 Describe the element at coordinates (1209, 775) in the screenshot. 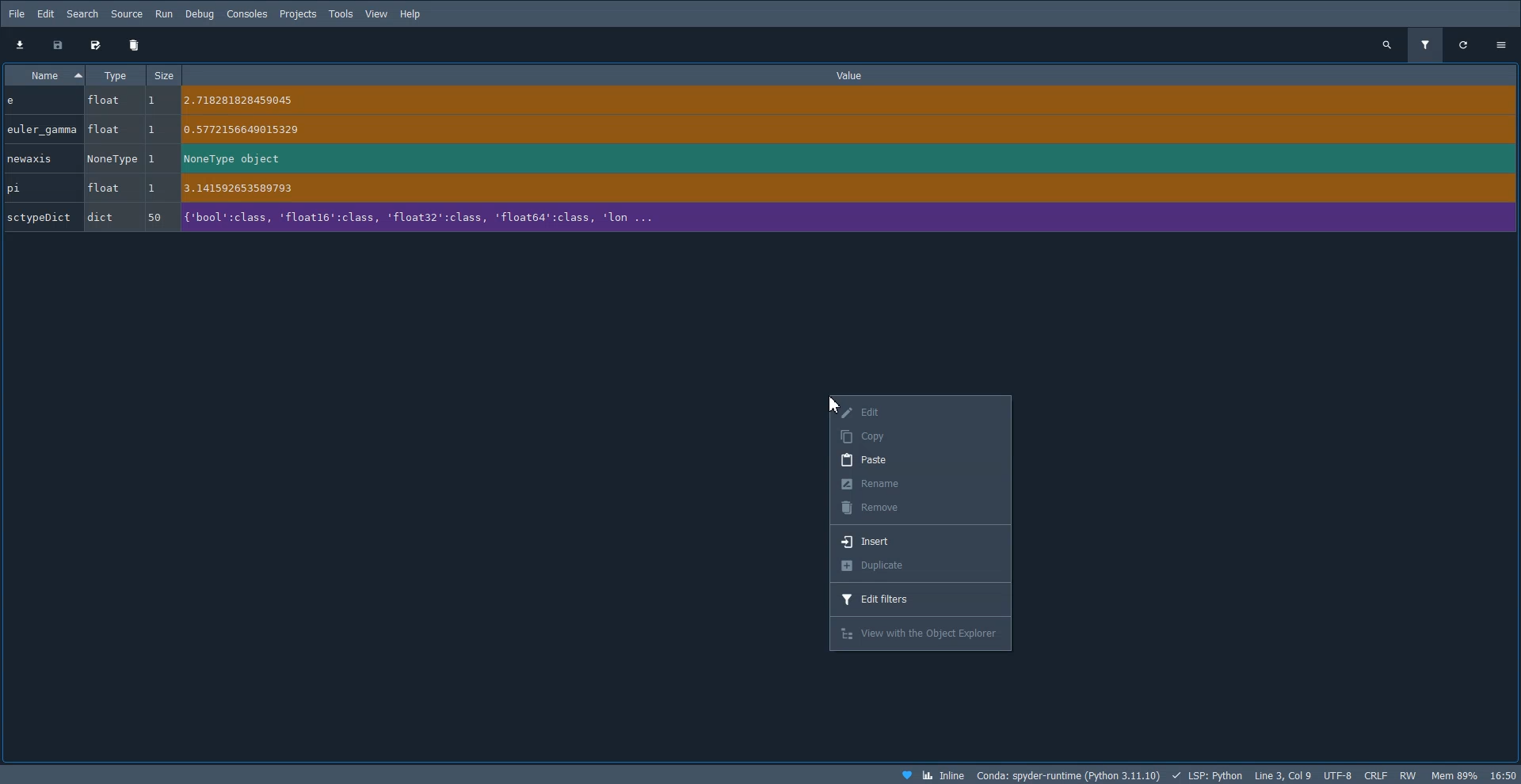

I see `LSP: PYTHON` at that location.